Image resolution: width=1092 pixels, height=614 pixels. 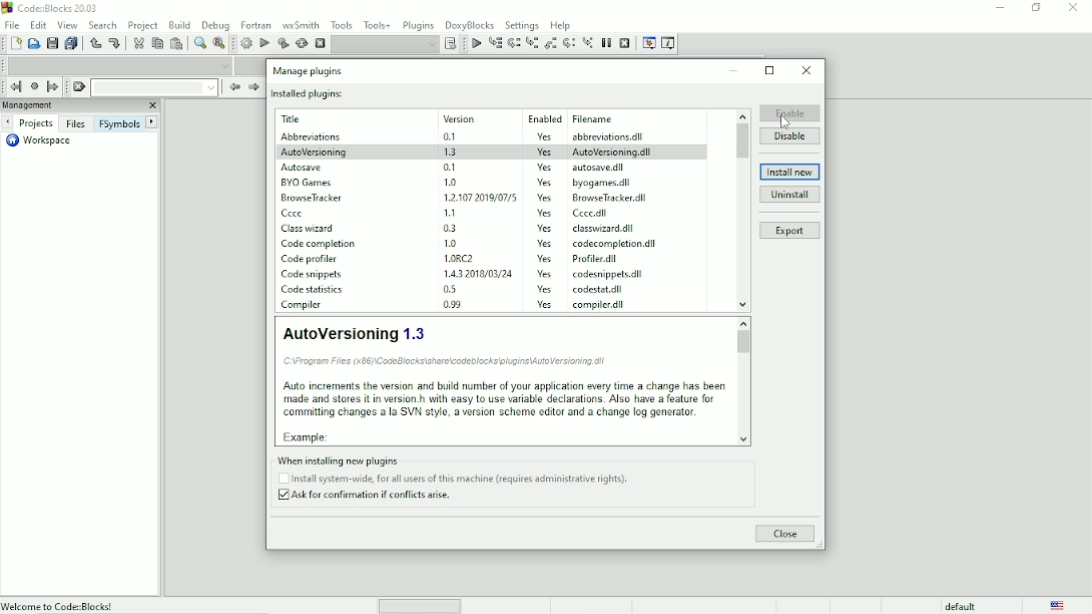 I want to click on Run to cursor, so click(x=495, y=43).